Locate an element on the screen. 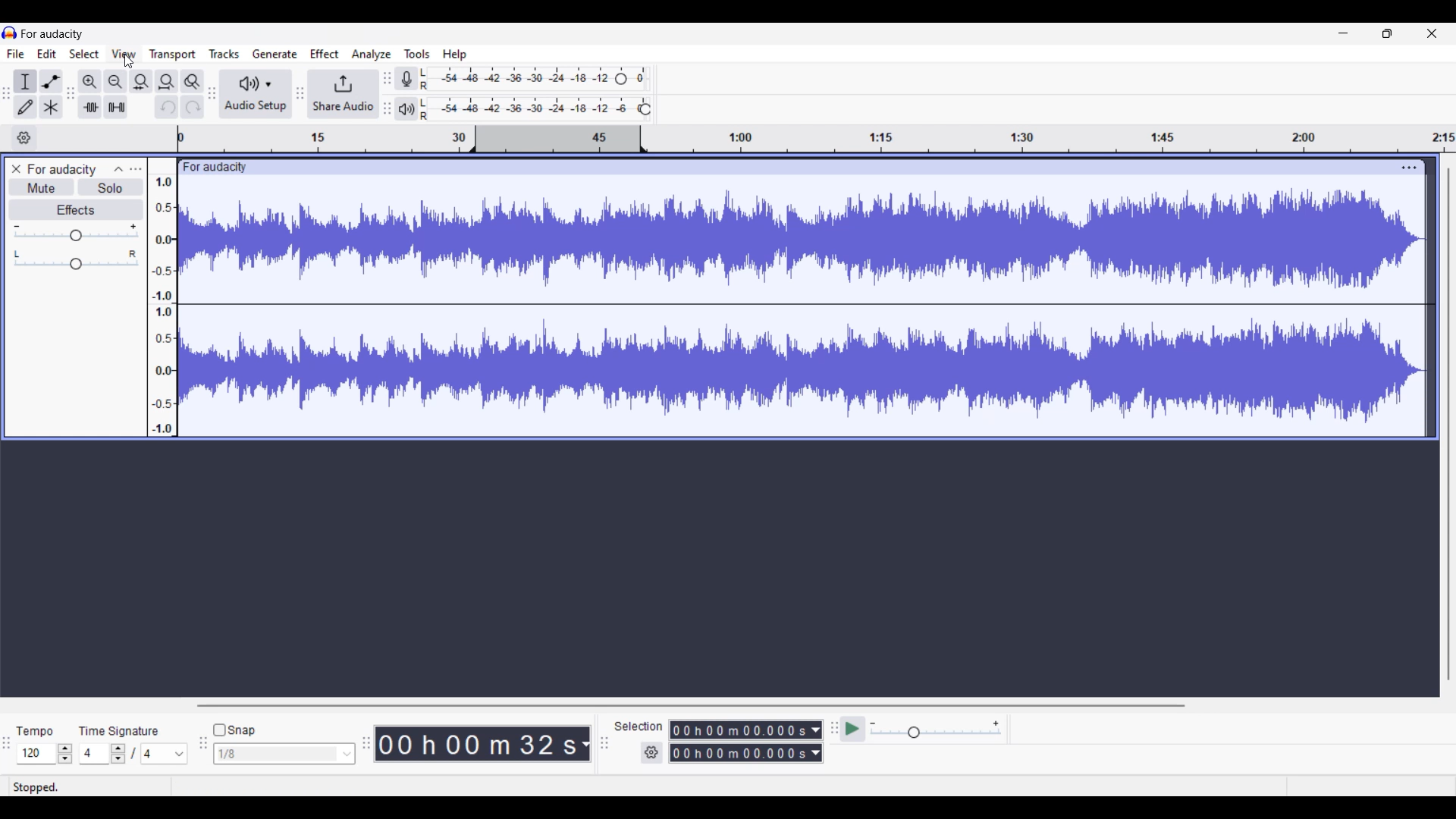 This screenshot has width=1456, height=819. Effect menu is located at coordinates (325, 54).